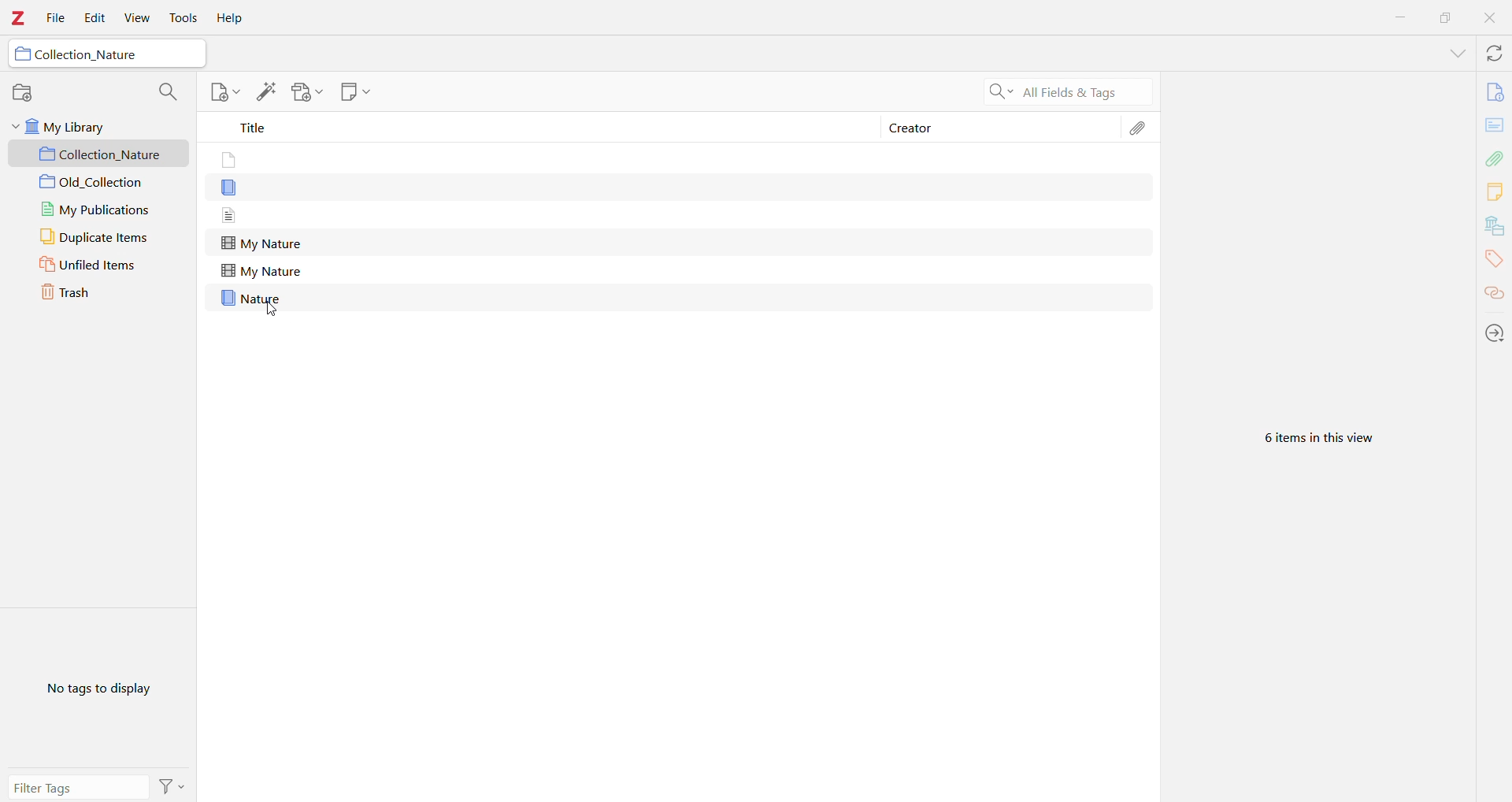 This screenshot has width=1512, height=802. Describe the element at coordinates (101, 154) in the screenshot. I see `Collection_Nature` at that location.